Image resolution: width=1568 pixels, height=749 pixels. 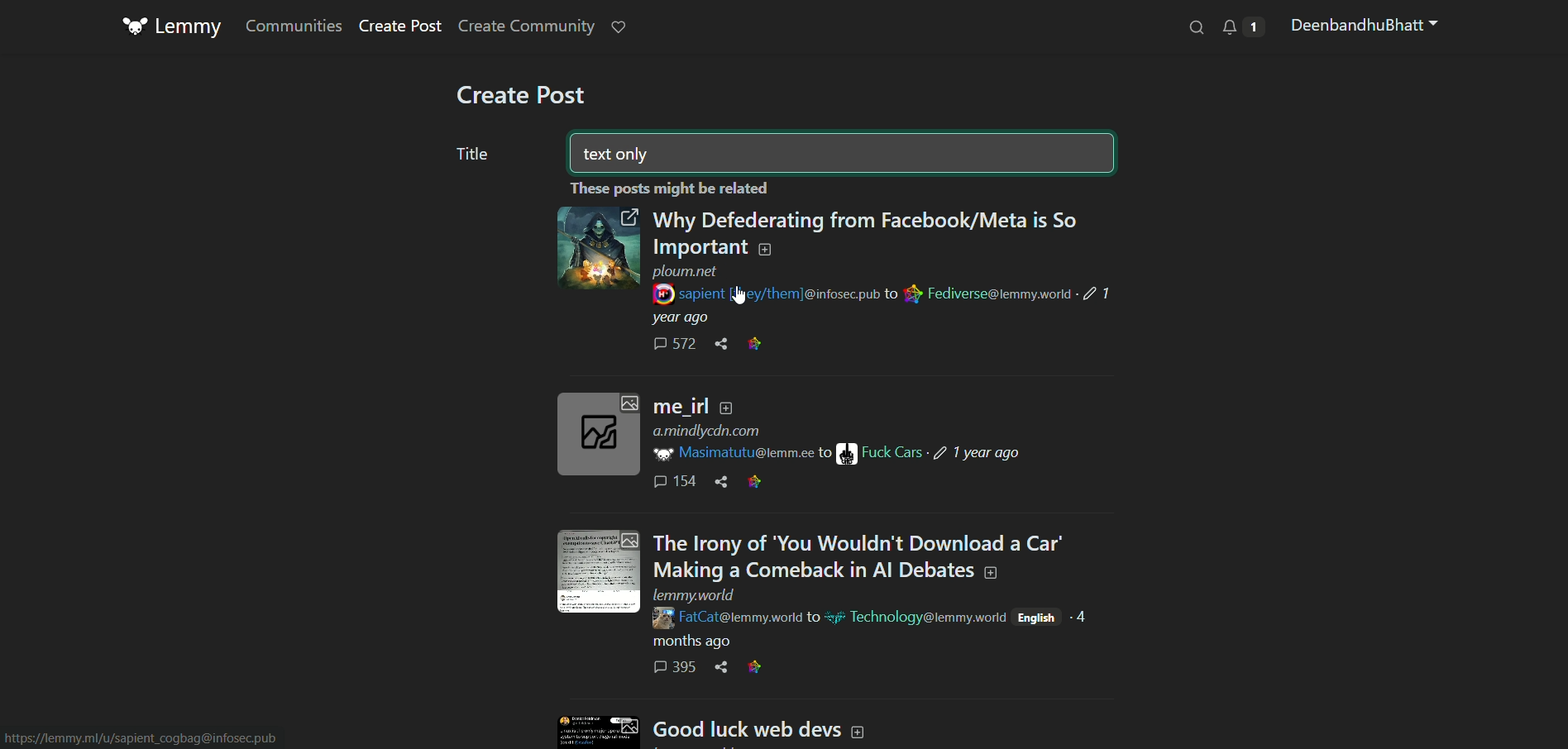 I want to click on Click to expand image, so click(x=597, y=731).